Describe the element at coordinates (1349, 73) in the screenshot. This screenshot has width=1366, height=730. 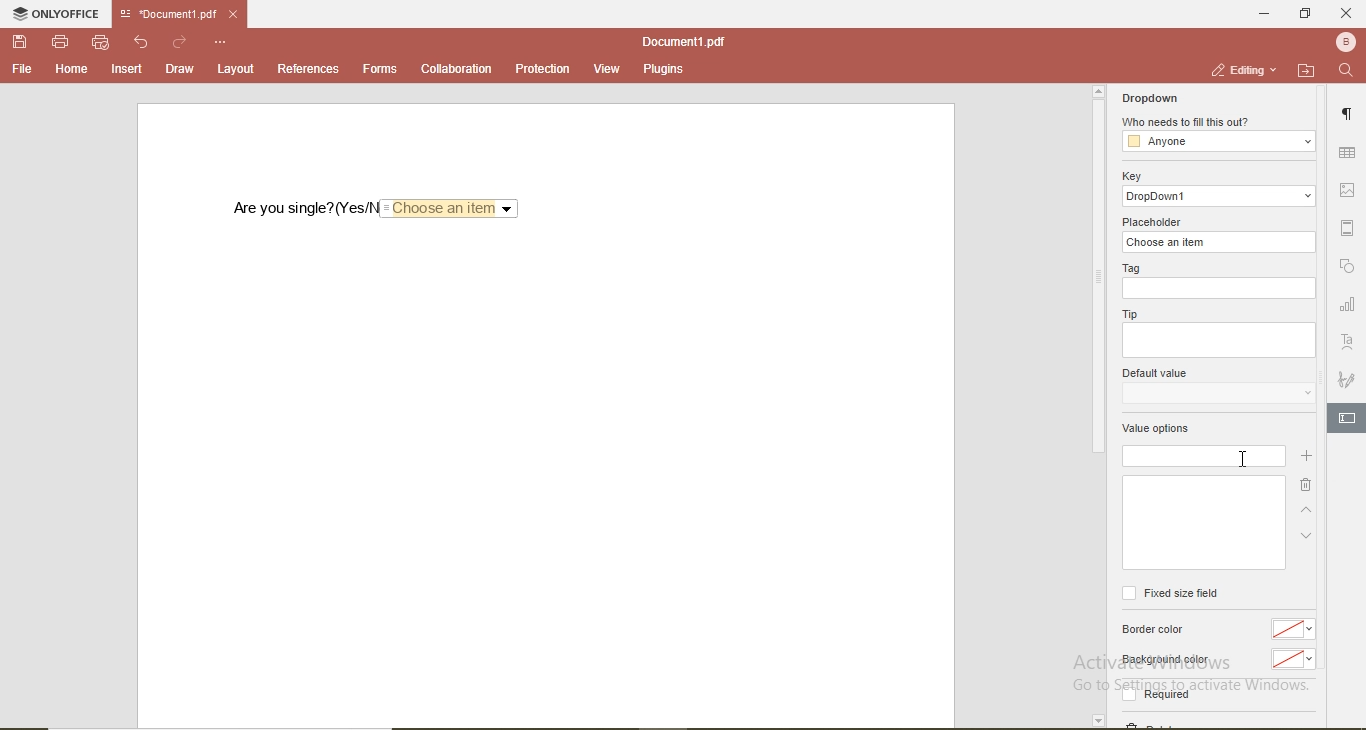
I see `search` at that location.